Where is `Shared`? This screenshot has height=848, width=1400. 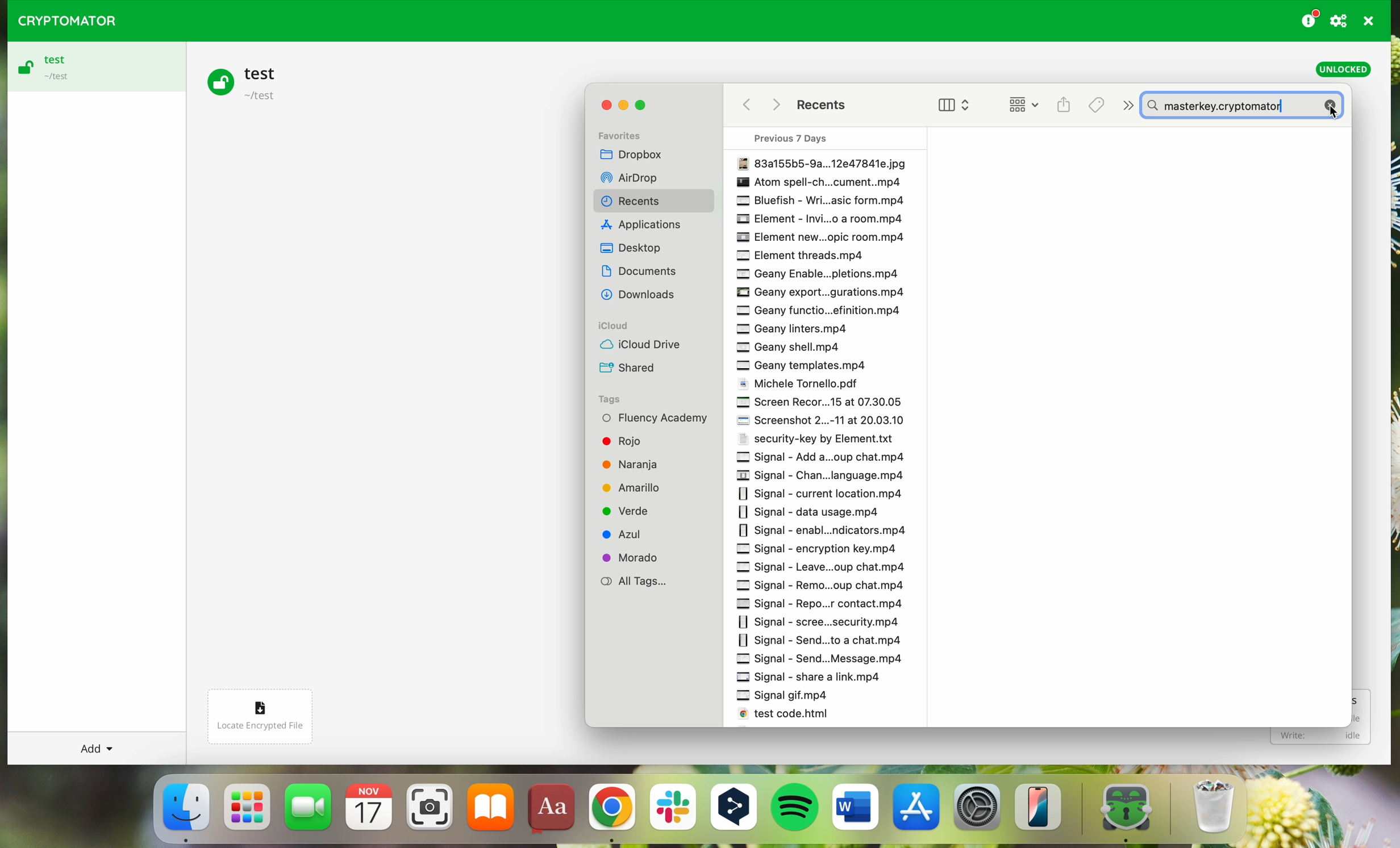
Shared is located at coordinates (630, 369).